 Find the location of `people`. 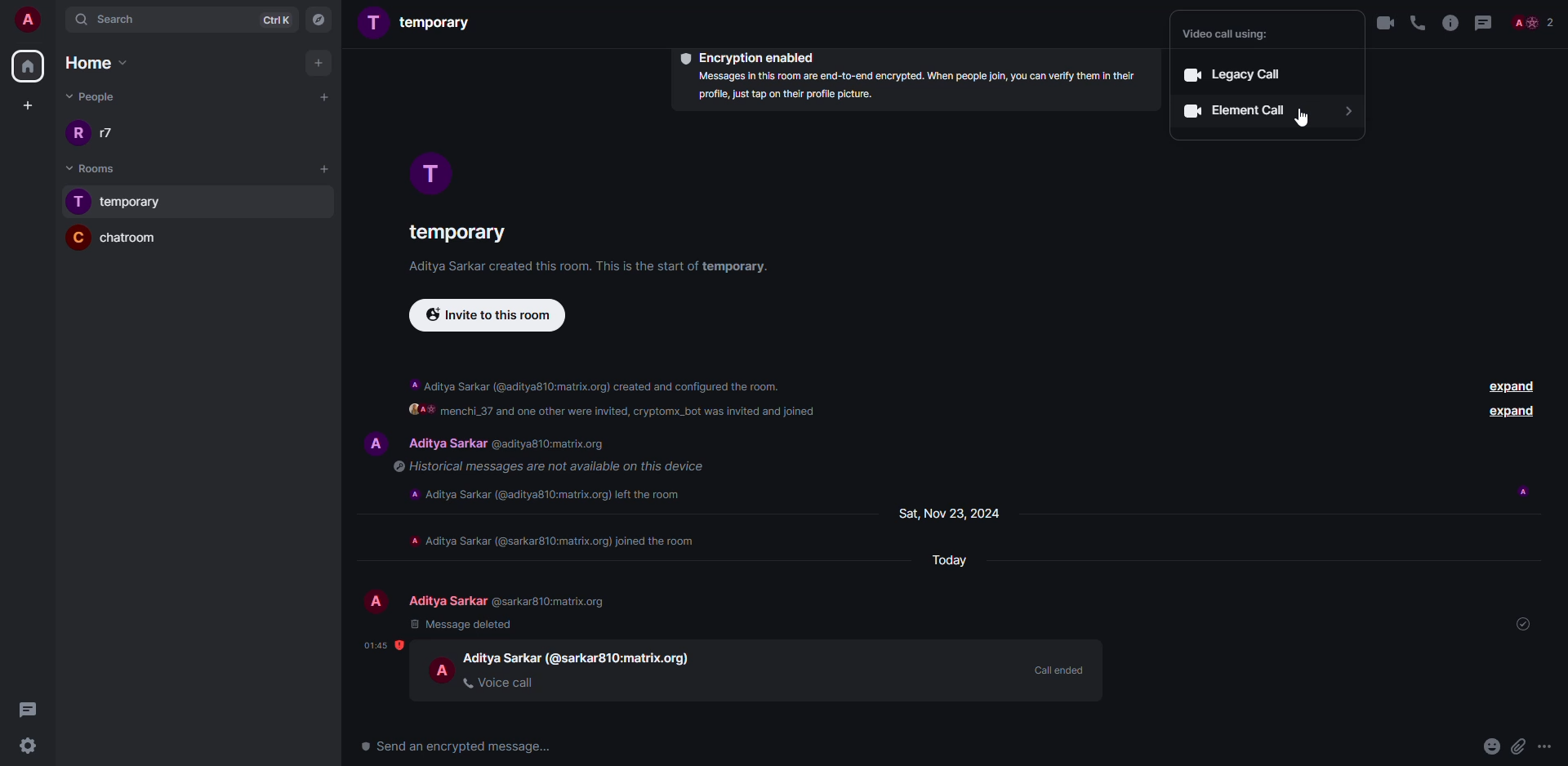

people is located at coordinates (445, 601).